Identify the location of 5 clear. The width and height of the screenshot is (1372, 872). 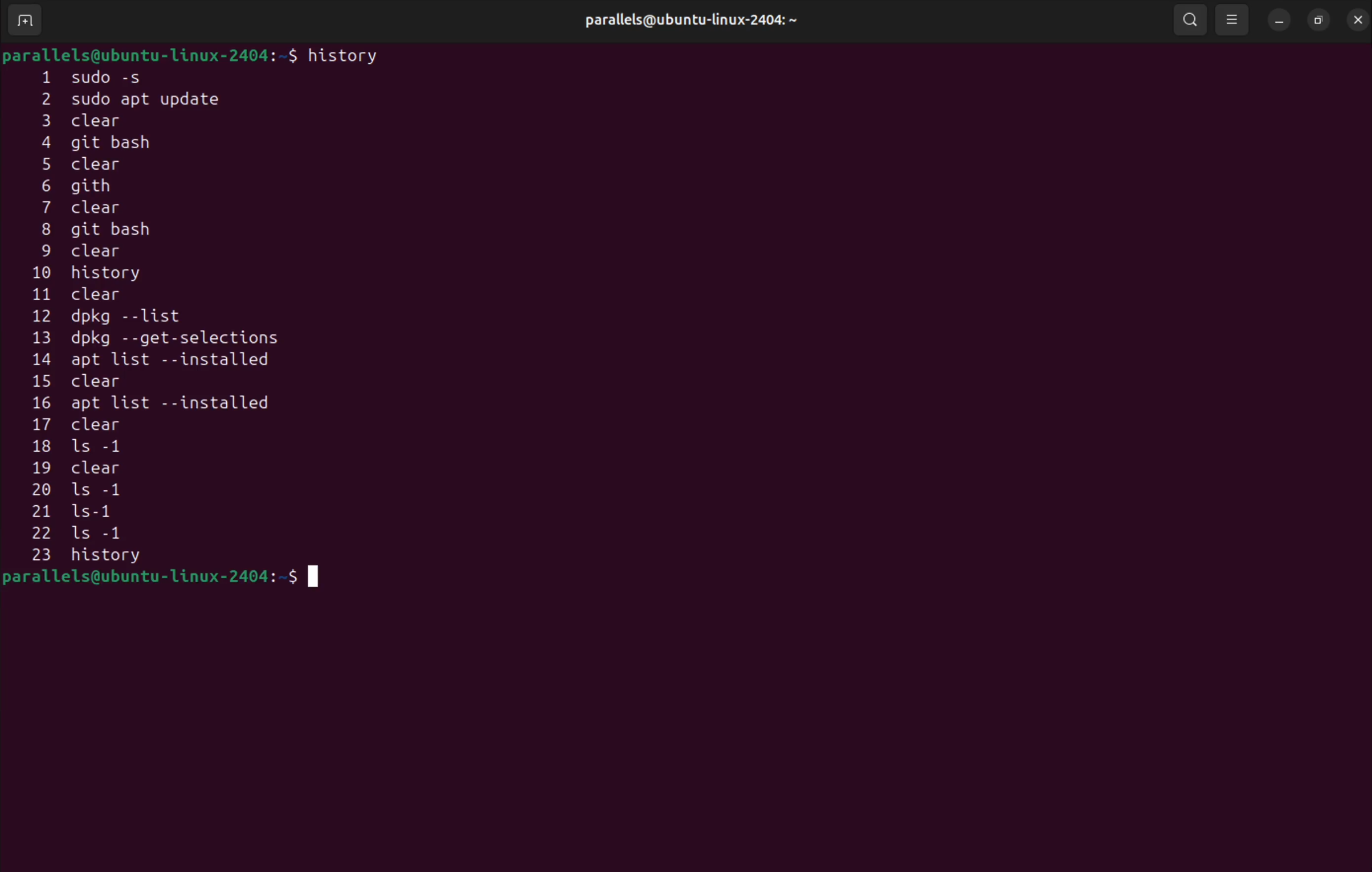
(89, 165).